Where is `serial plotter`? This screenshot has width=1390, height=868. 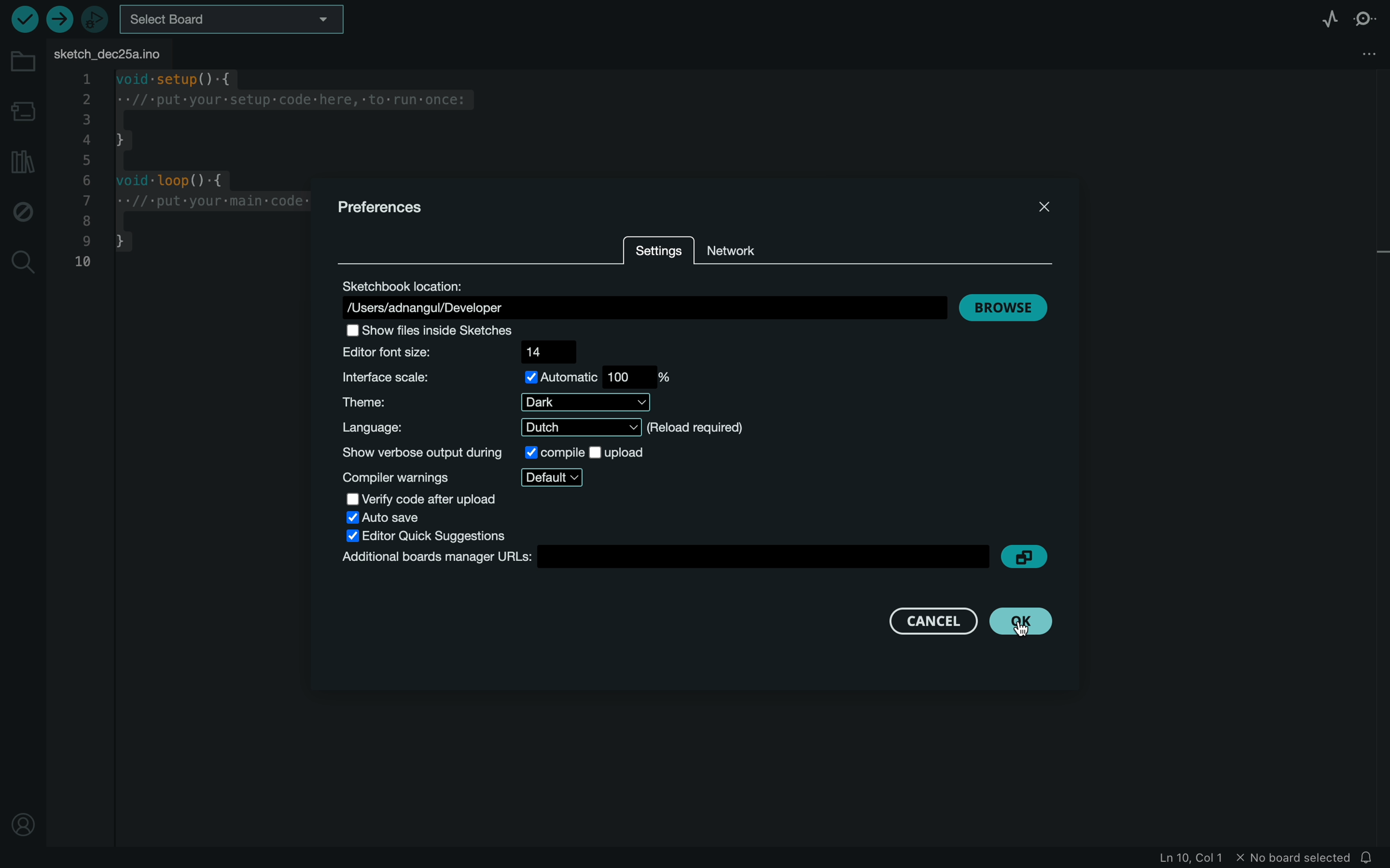 serial plotter is located at coordinates (1320, 20).